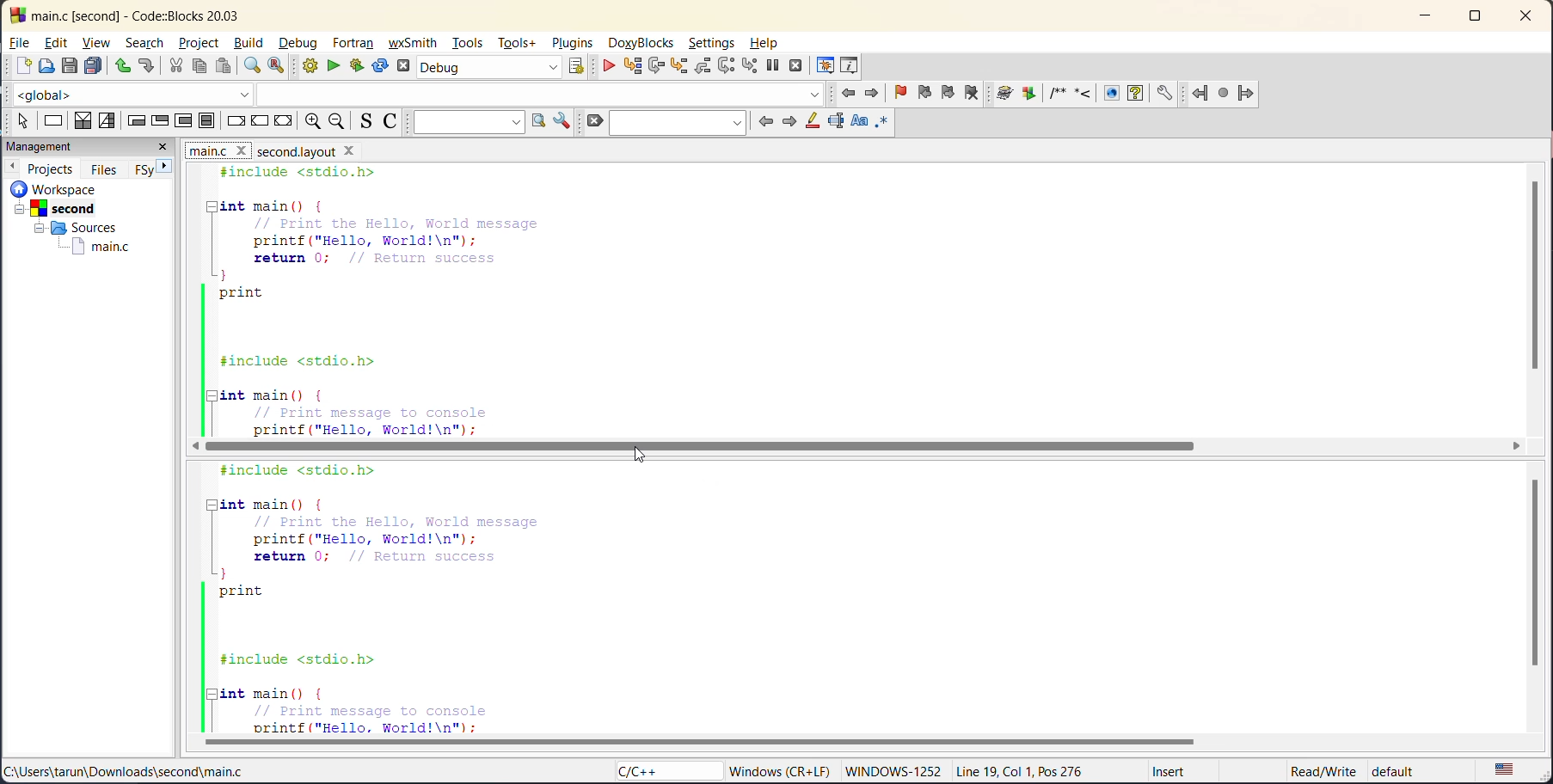 This screenshot has width=1553, height=784. What do you see at coordinates (166, 168) in the screenshot?
I see `next` at bounding box center [166, 168].